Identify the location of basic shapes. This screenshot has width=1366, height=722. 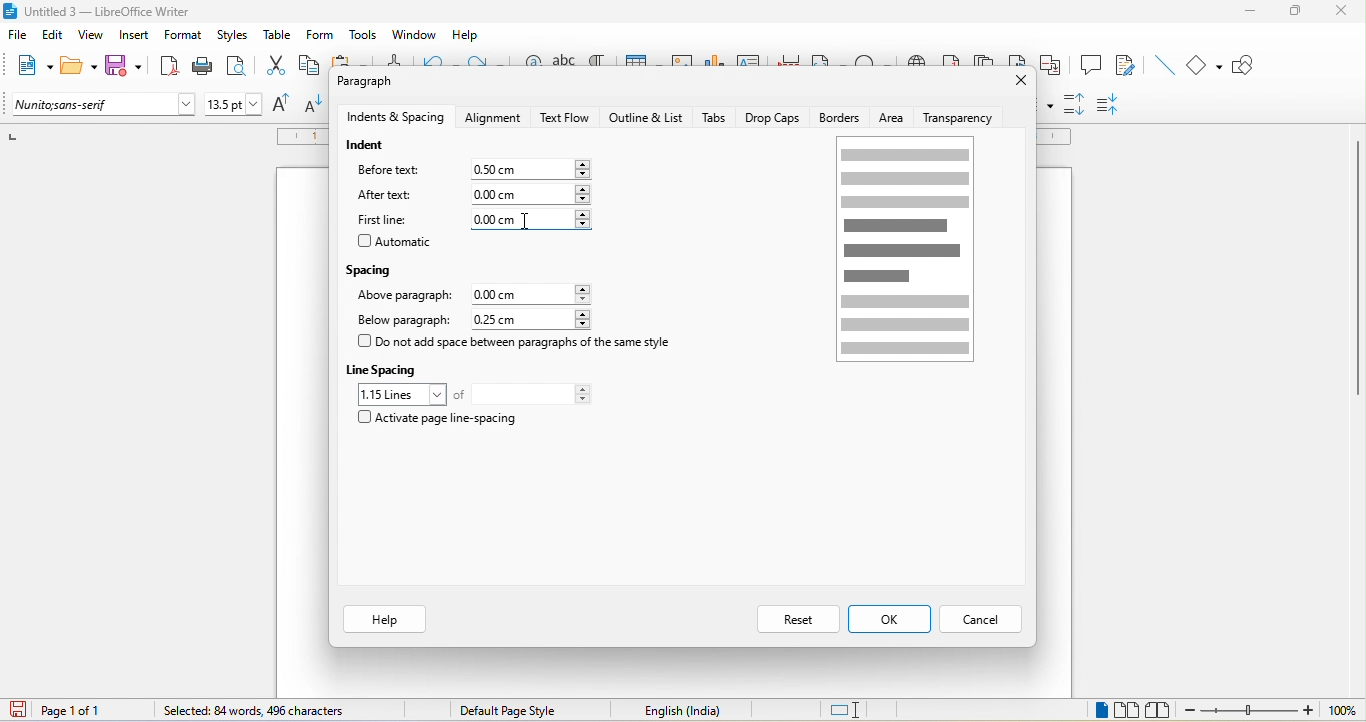
(1206, 66).